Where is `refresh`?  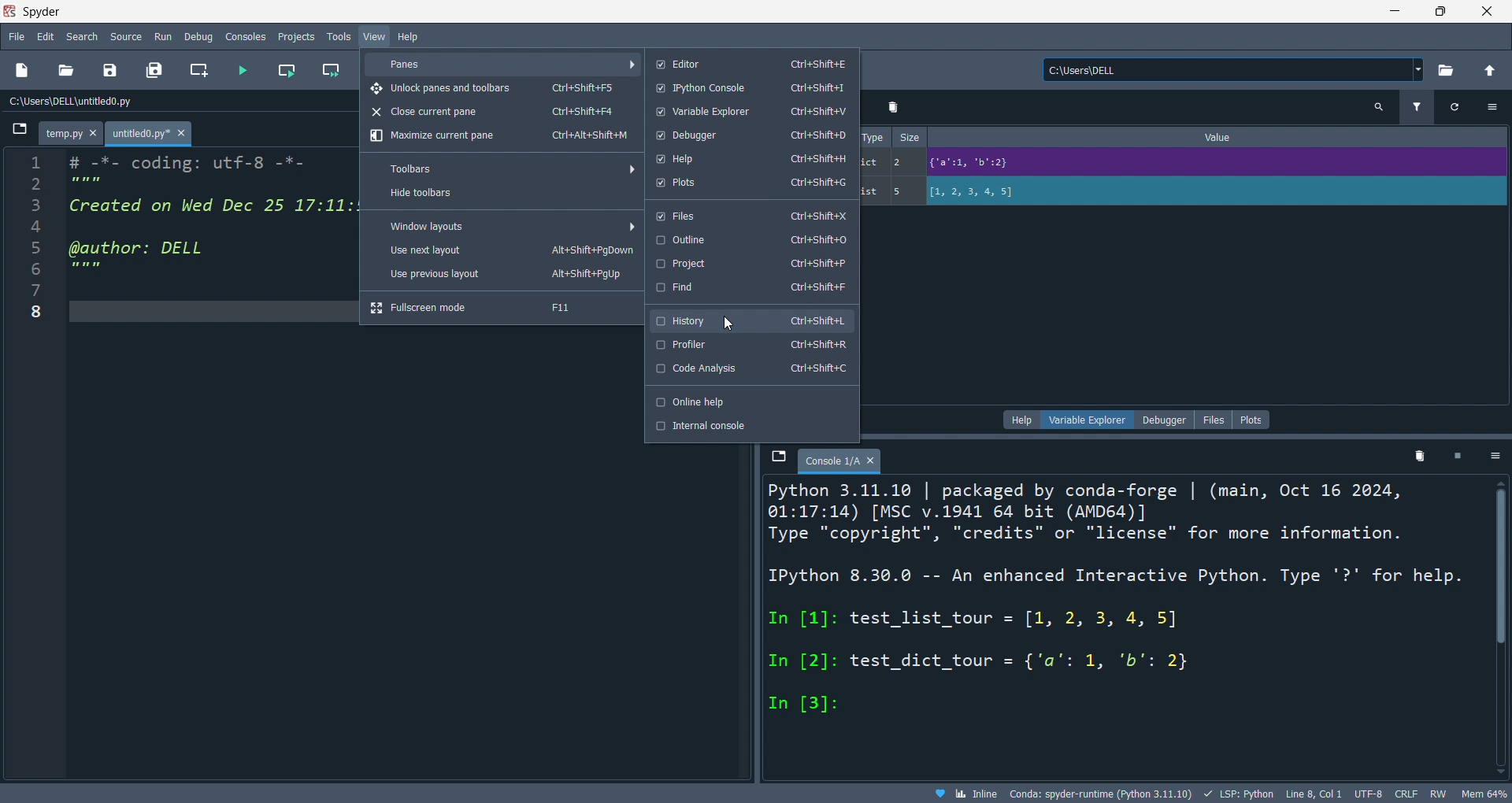 refresh is located at coordinates (1451, 107).